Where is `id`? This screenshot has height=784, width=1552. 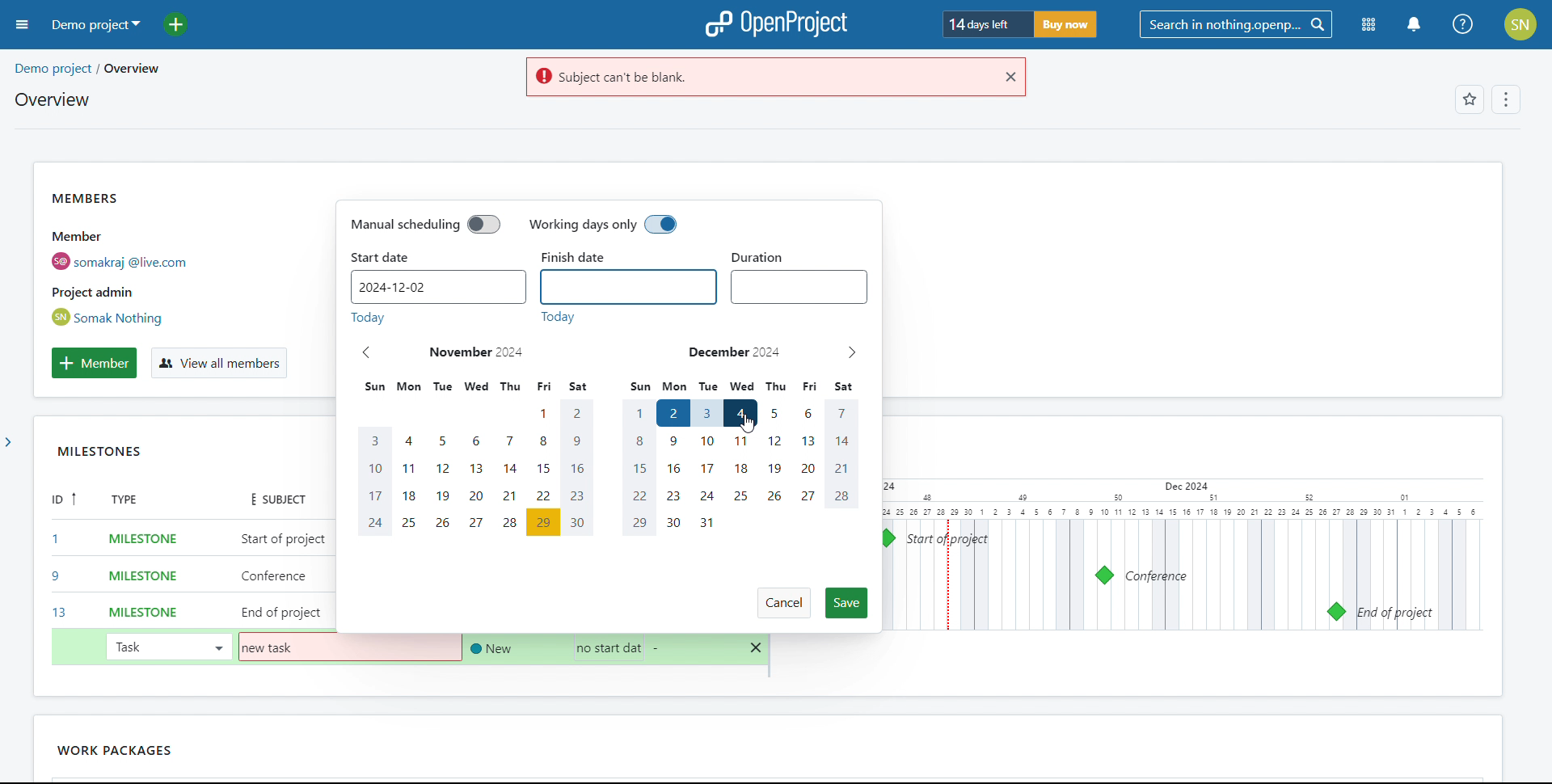
id is located at coordinates (58, 558).